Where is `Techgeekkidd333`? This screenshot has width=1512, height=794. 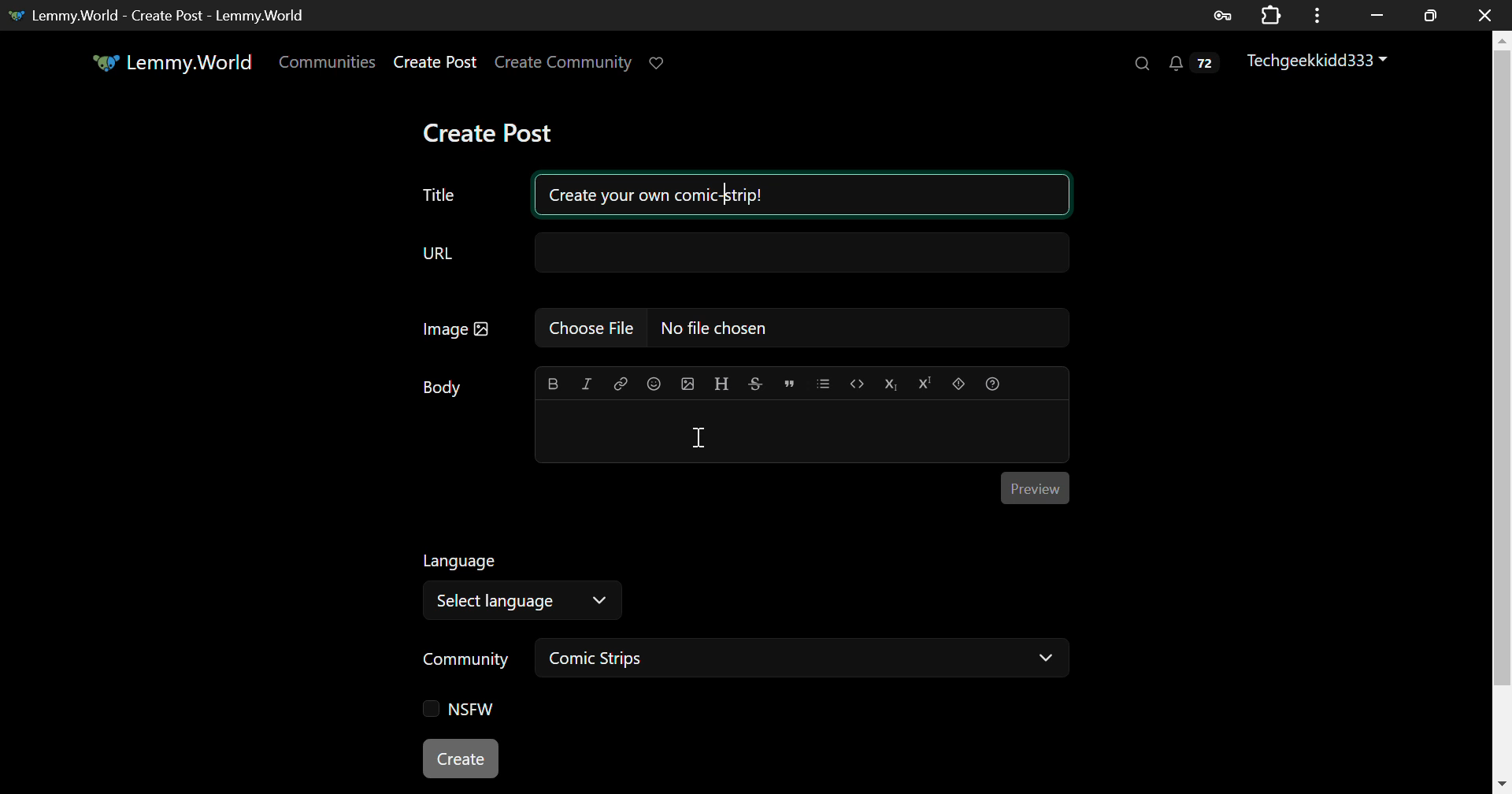 Techgeekkidd333 is located at coordinates (1319, 62).